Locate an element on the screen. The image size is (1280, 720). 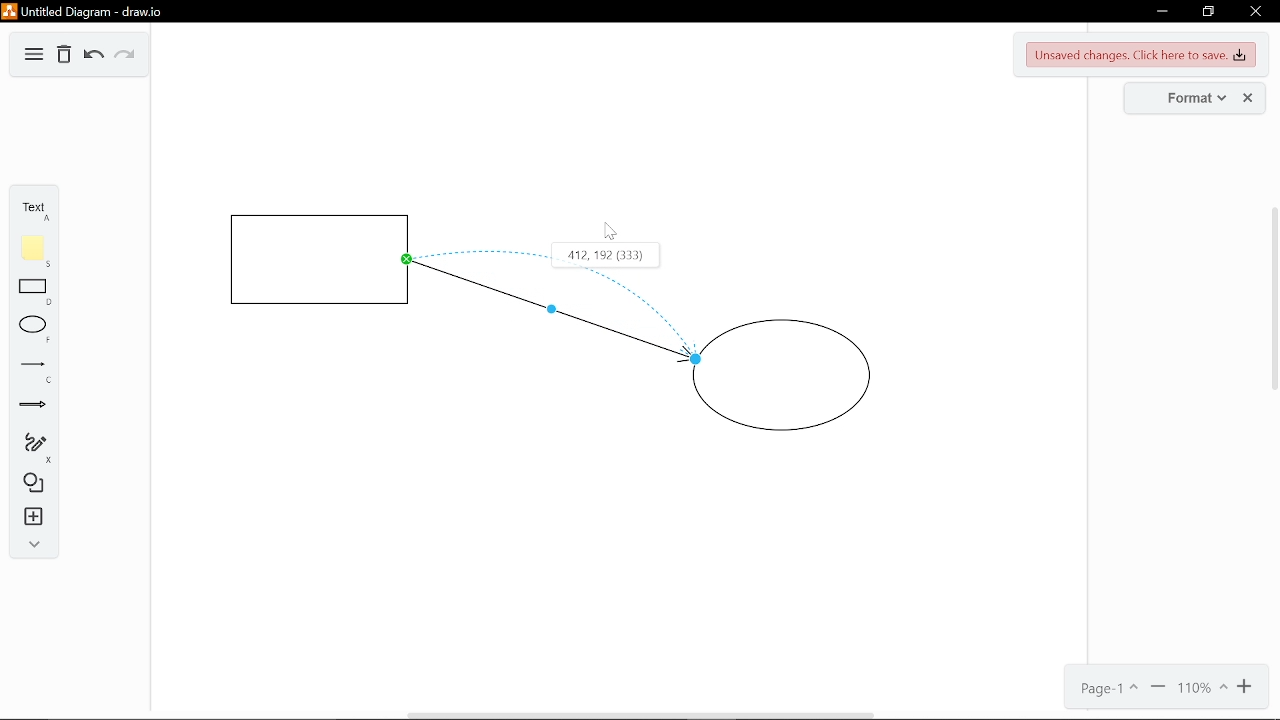
Scroll Bar is located at coordinates (1266, 299).